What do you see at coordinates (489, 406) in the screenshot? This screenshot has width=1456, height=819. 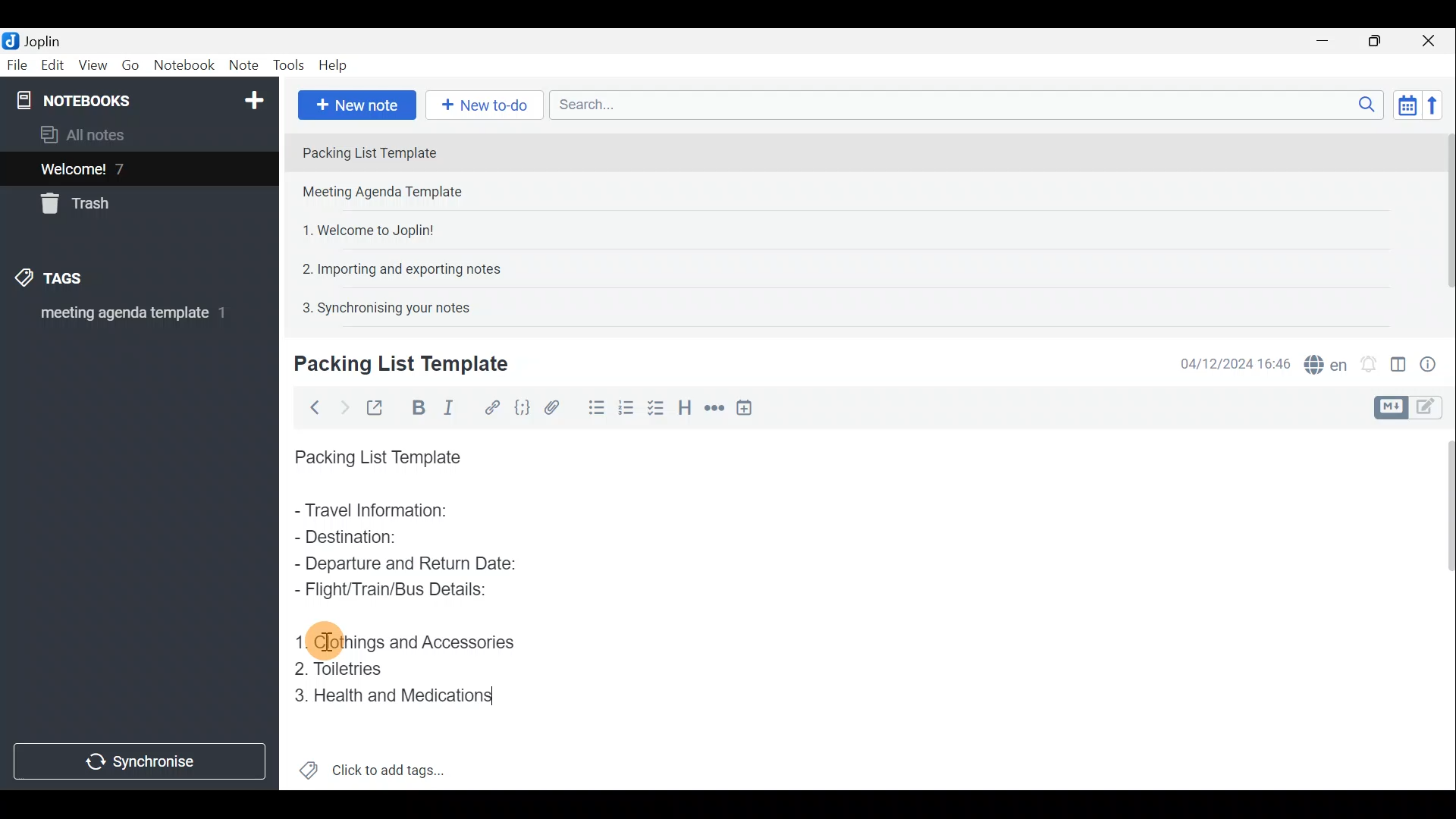 I see `Hyperlink` at bounding box center [489, 406].